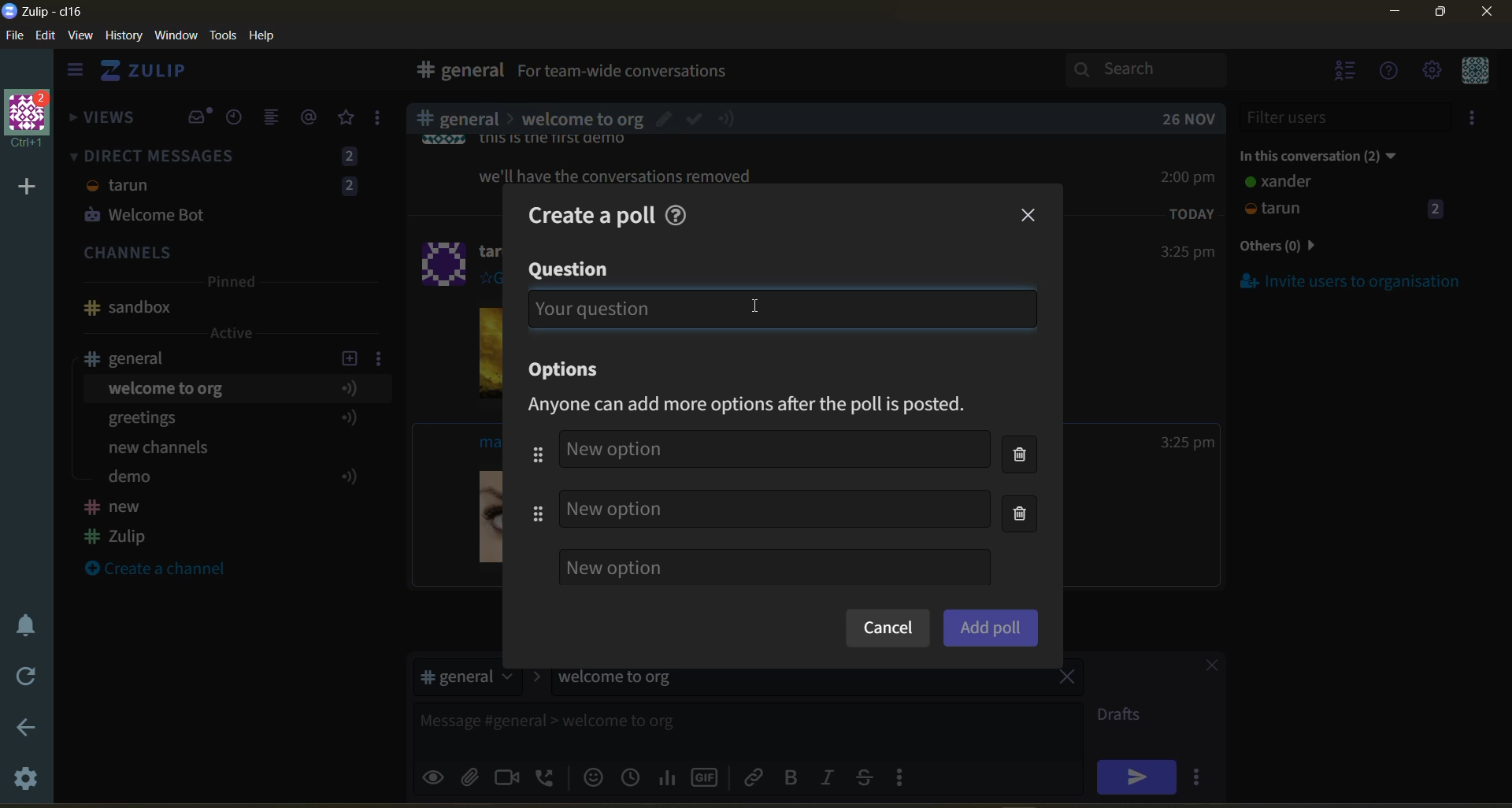 The width and height of the screenshot is (1512, 808). Describe the element at coordinates (707, 727) in the screenshot. I see `text box` at that location.